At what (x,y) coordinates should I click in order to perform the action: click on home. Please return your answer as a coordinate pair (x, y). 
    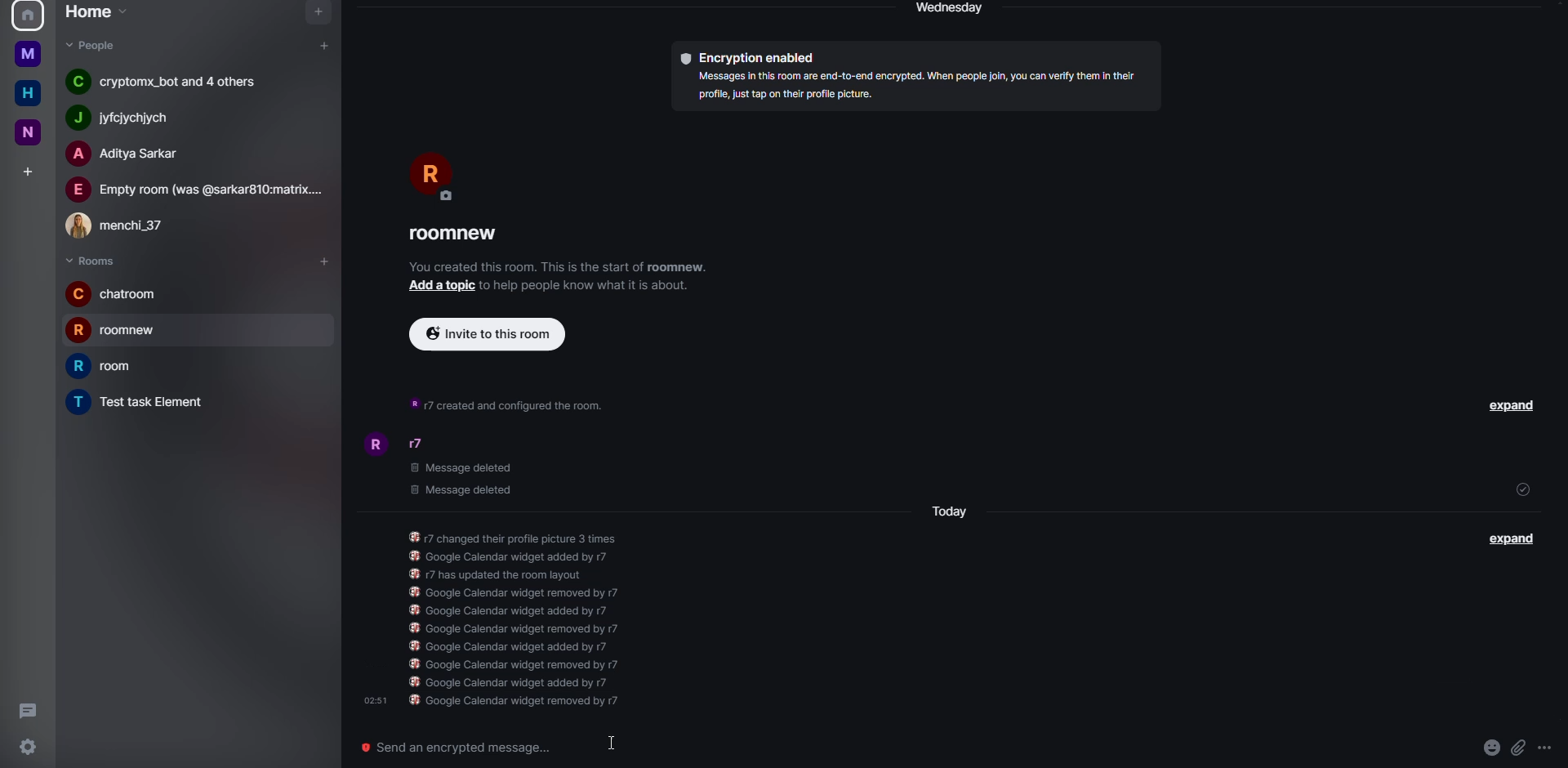
    Looking at the image, I should click on (29, 52).